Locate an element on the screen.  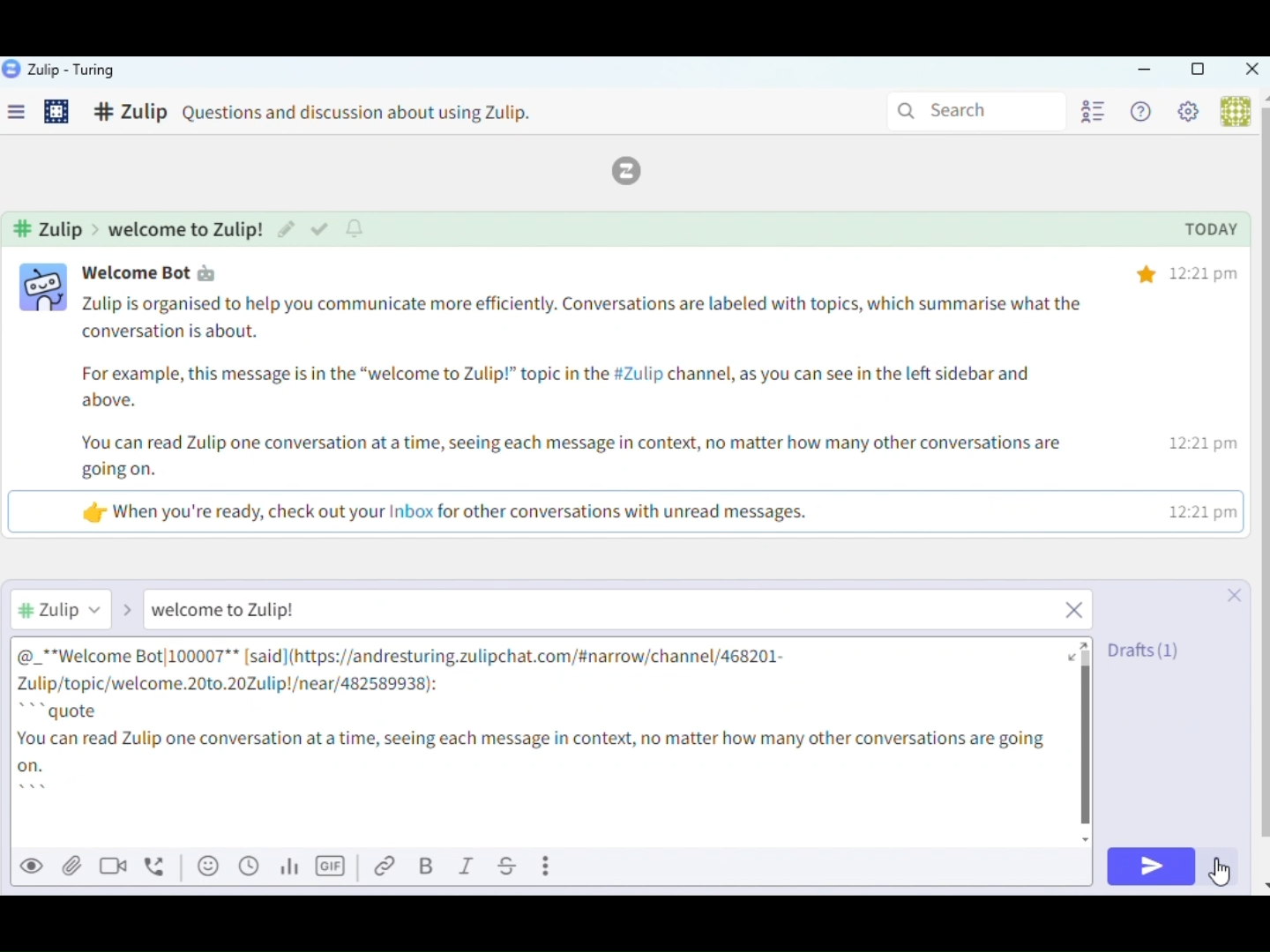
user profile is located at coordinates (45, 288).